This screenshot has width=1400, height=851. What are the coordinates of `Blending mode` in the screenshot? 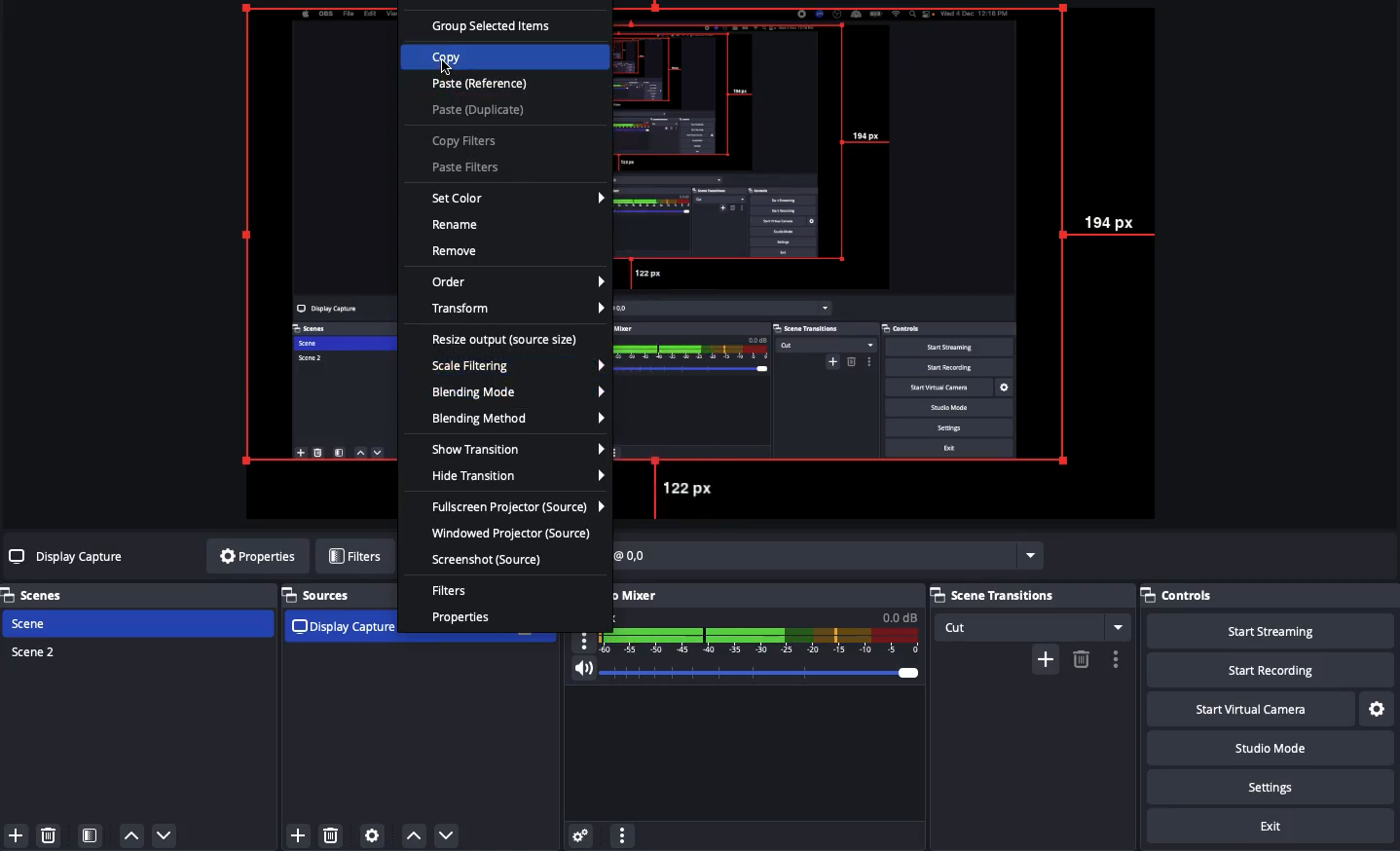 It's located at (520, 391).